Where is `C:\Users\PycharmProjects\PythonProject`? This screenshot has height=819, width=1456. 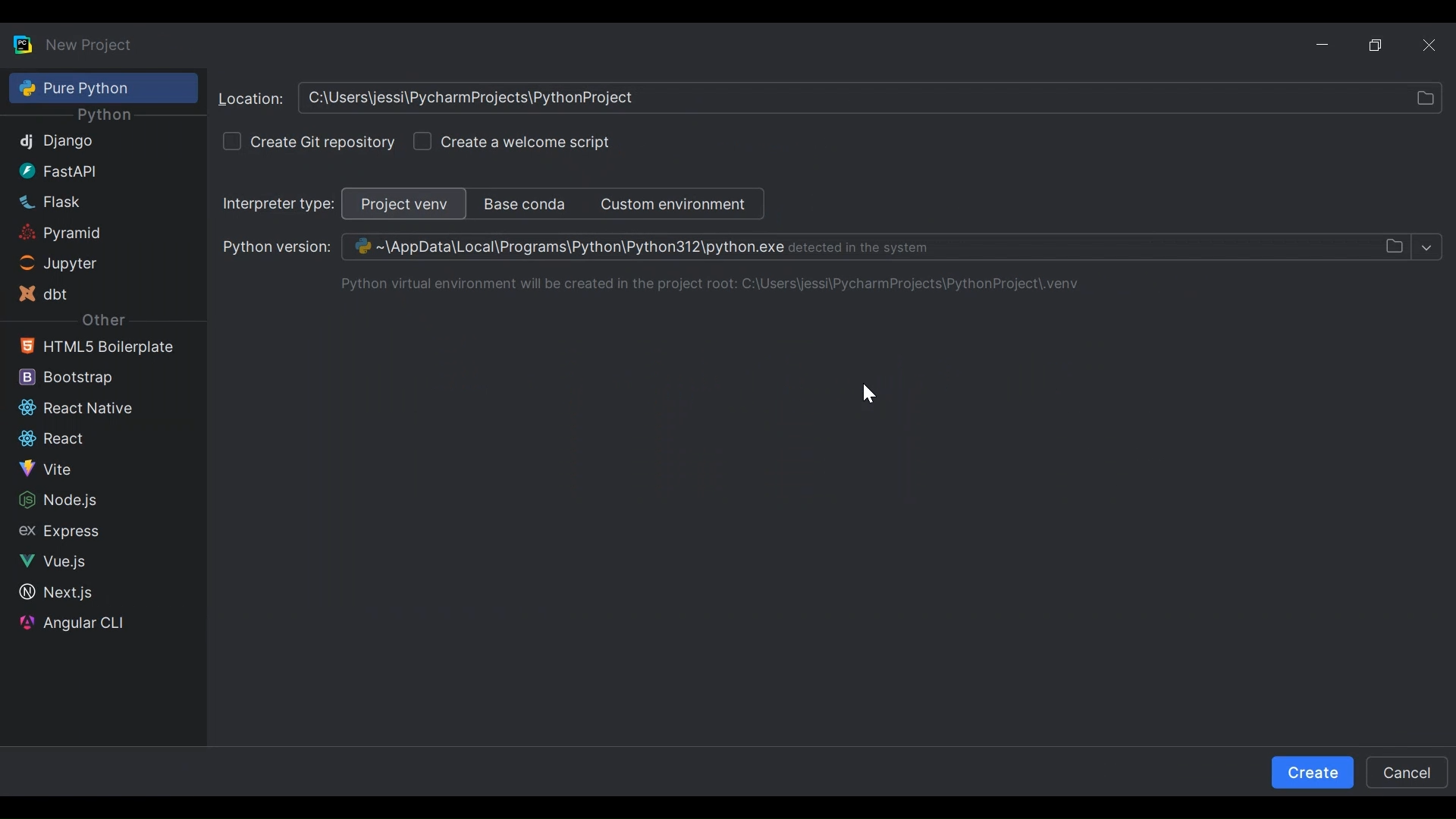
C:\Users\PycharmProjects\PythonProject is located at coordinates (769, 98).